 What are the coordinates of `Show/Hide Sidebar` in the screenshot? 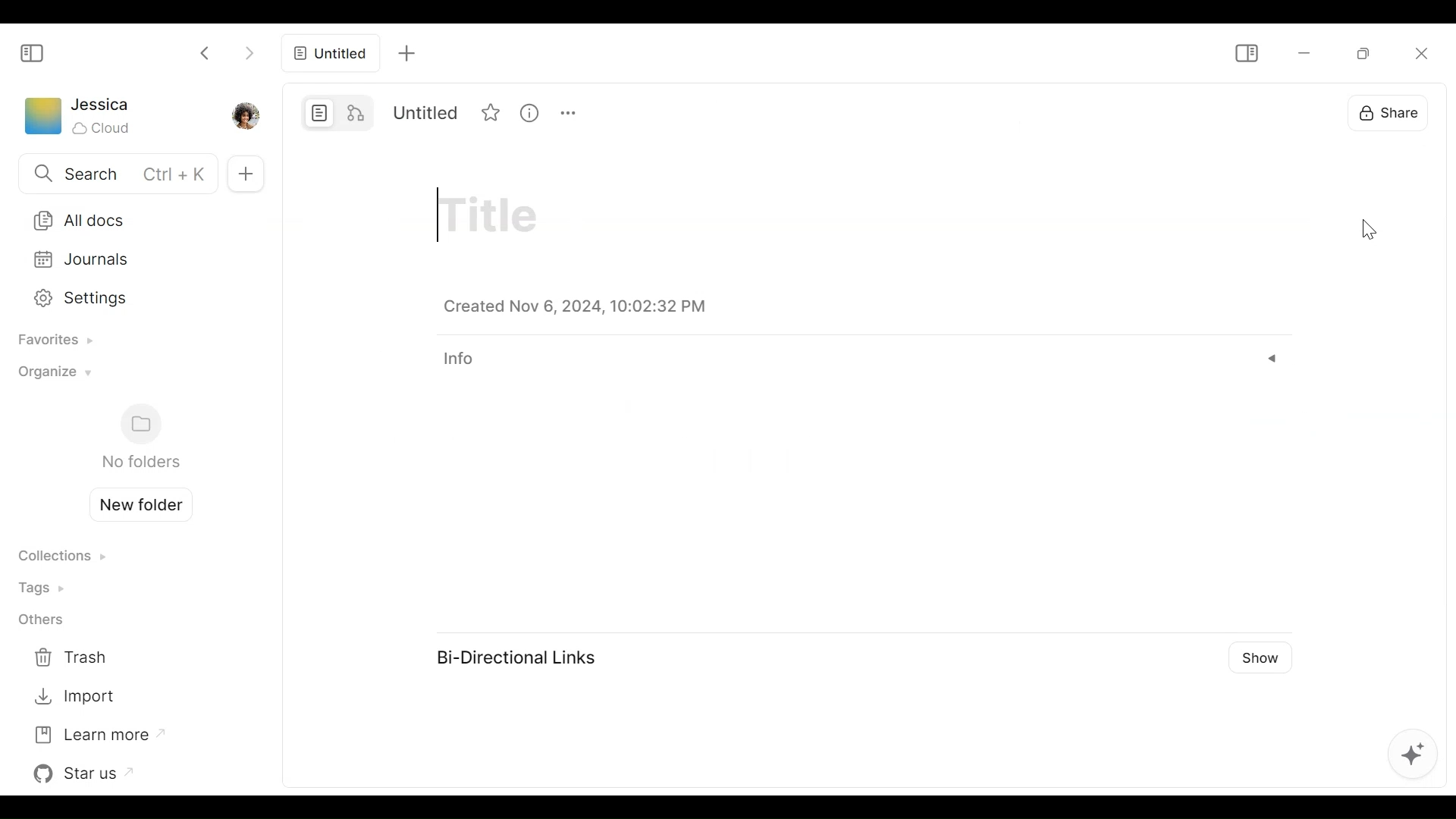 It's located at (33, 52).